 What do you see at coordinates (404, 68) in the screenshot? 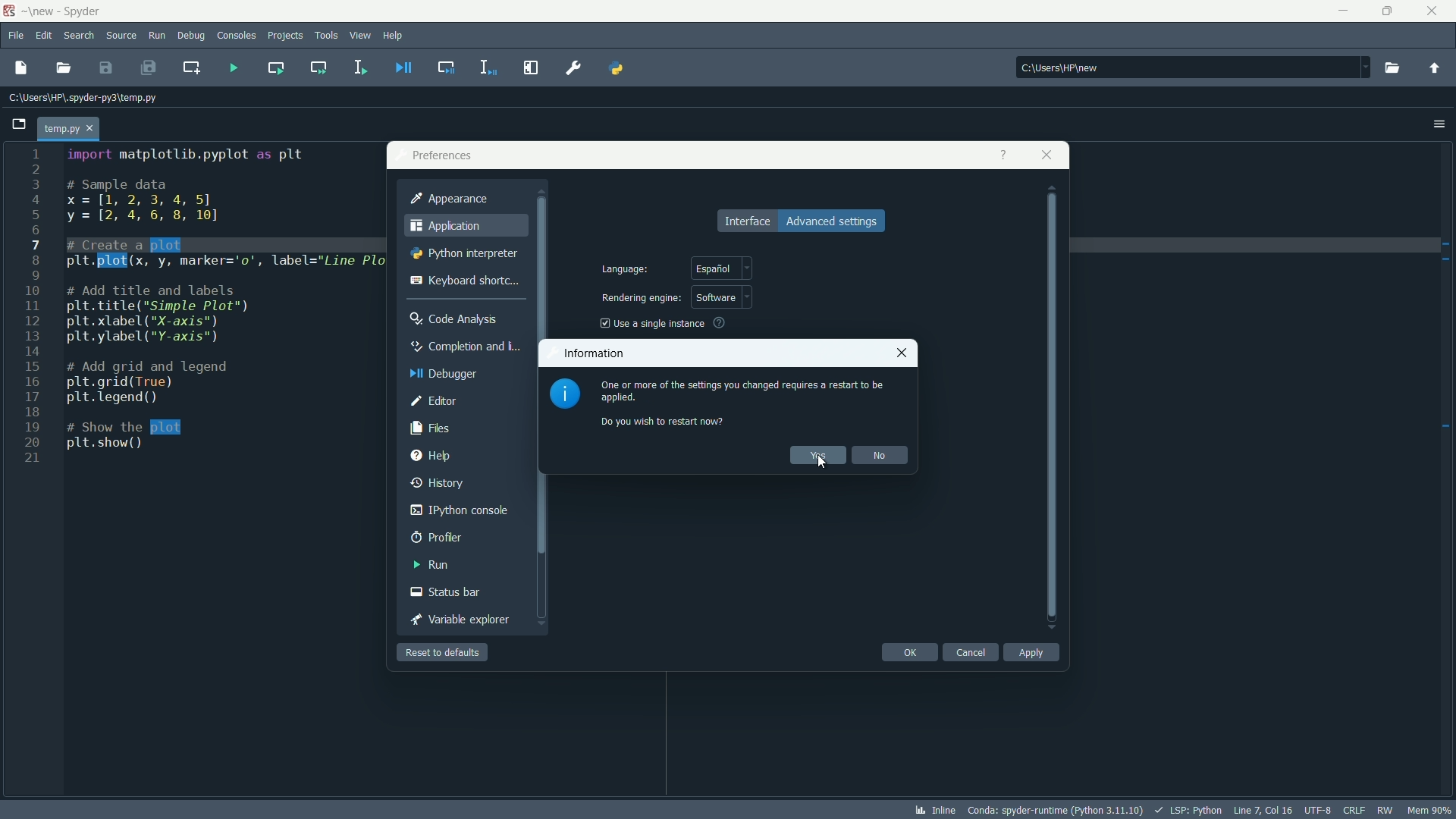
I see `debug file` at bounding box center [404, 68].